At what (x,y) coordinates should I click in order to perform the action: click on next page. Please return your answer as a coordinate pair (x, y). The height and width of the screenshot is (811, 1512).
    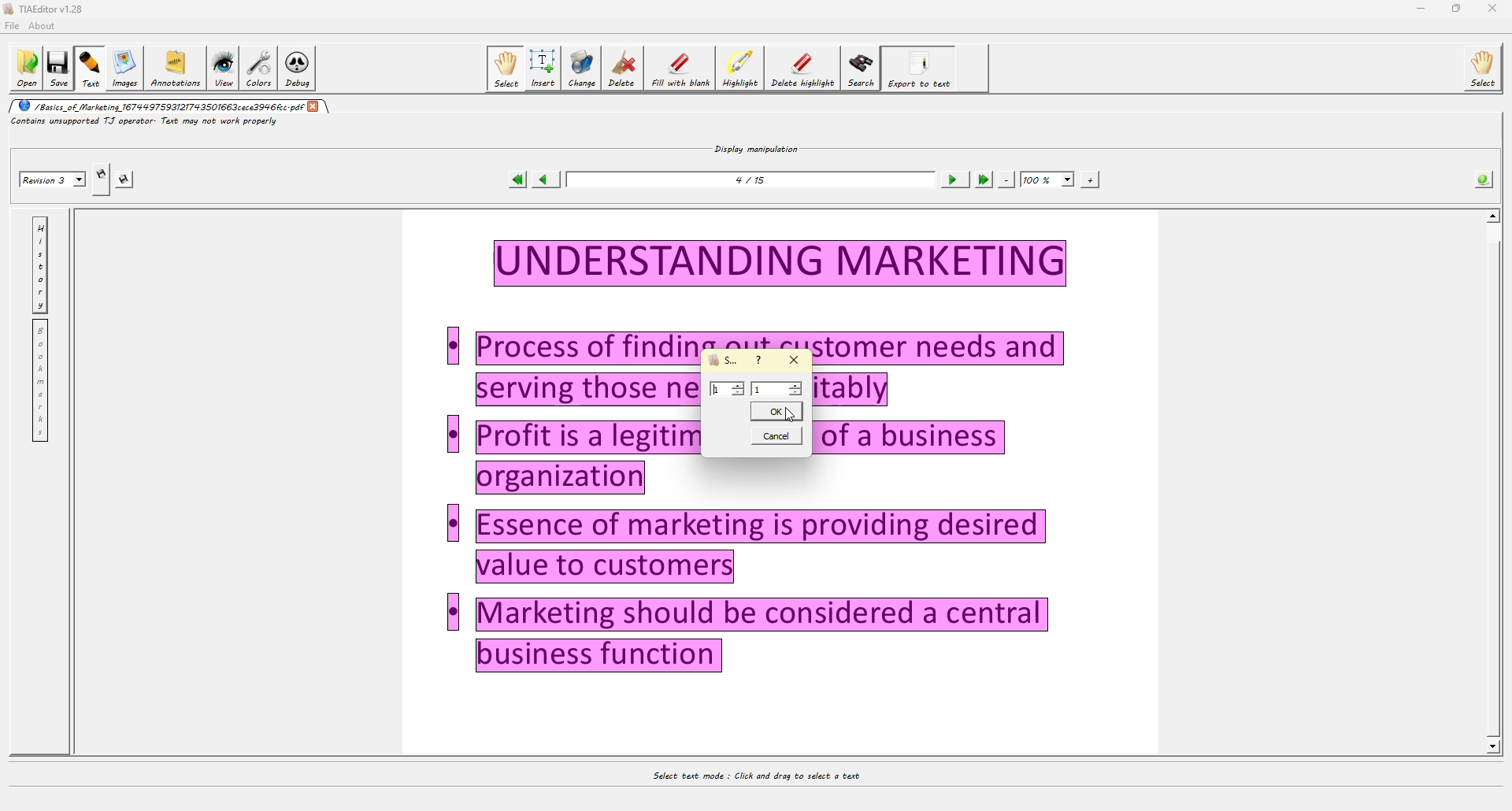
    Looking at the image, I should click on (953, 179).